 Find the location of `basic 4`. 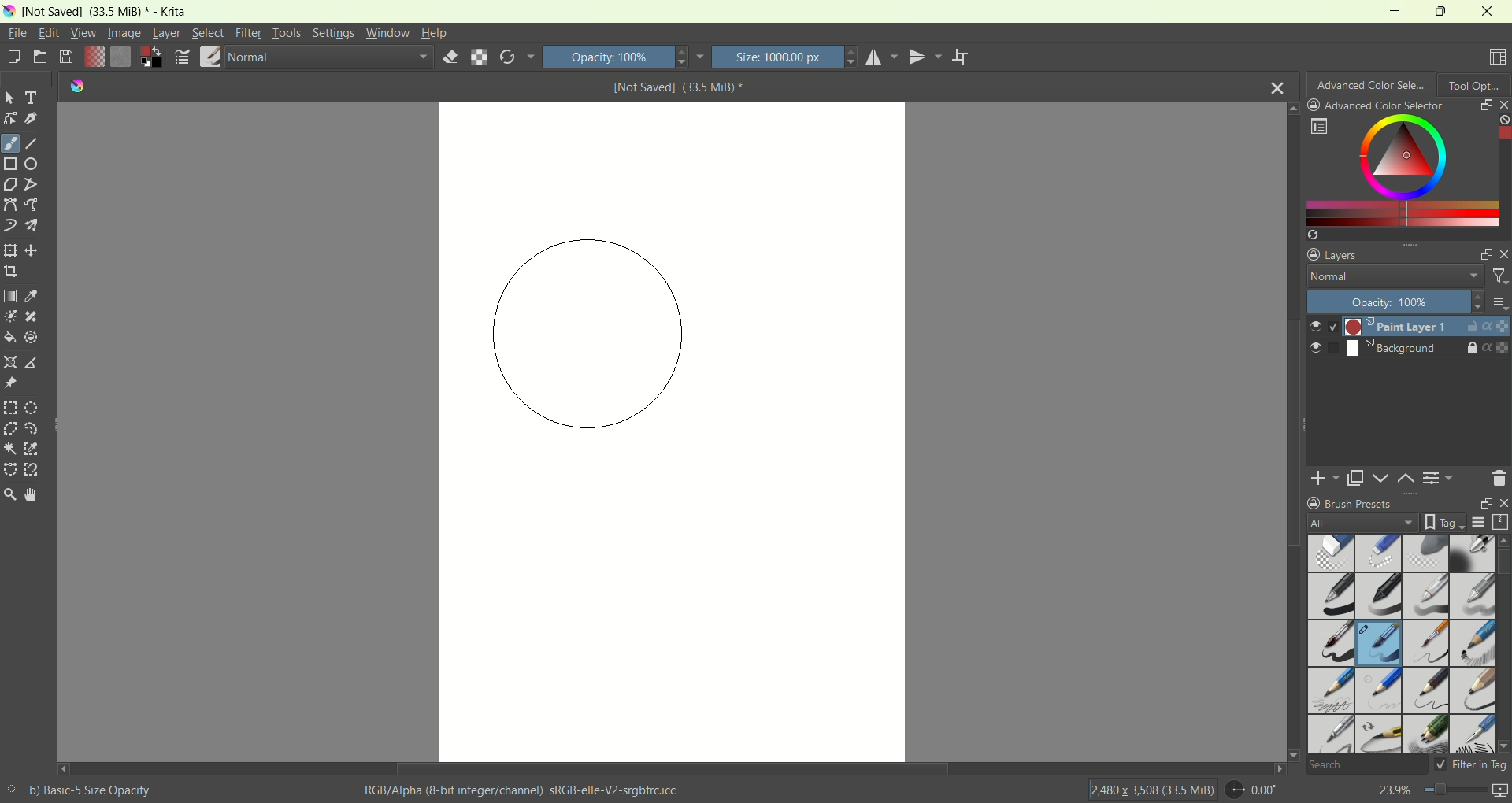

basic 4 is located at coordinates (1473, 594).